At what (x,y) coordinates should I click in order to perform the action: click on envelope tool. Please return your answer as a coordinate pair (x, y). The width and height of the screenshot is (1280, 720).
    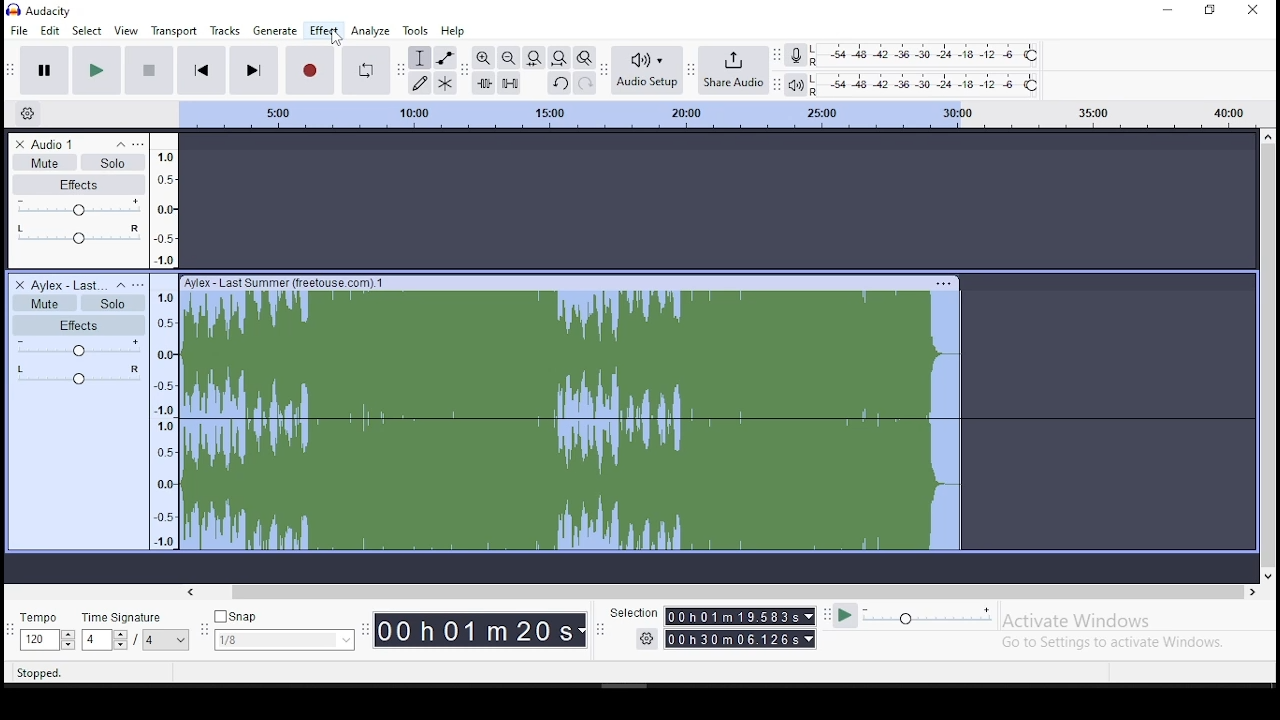
    Looking at the image, I should click on (445, 58).